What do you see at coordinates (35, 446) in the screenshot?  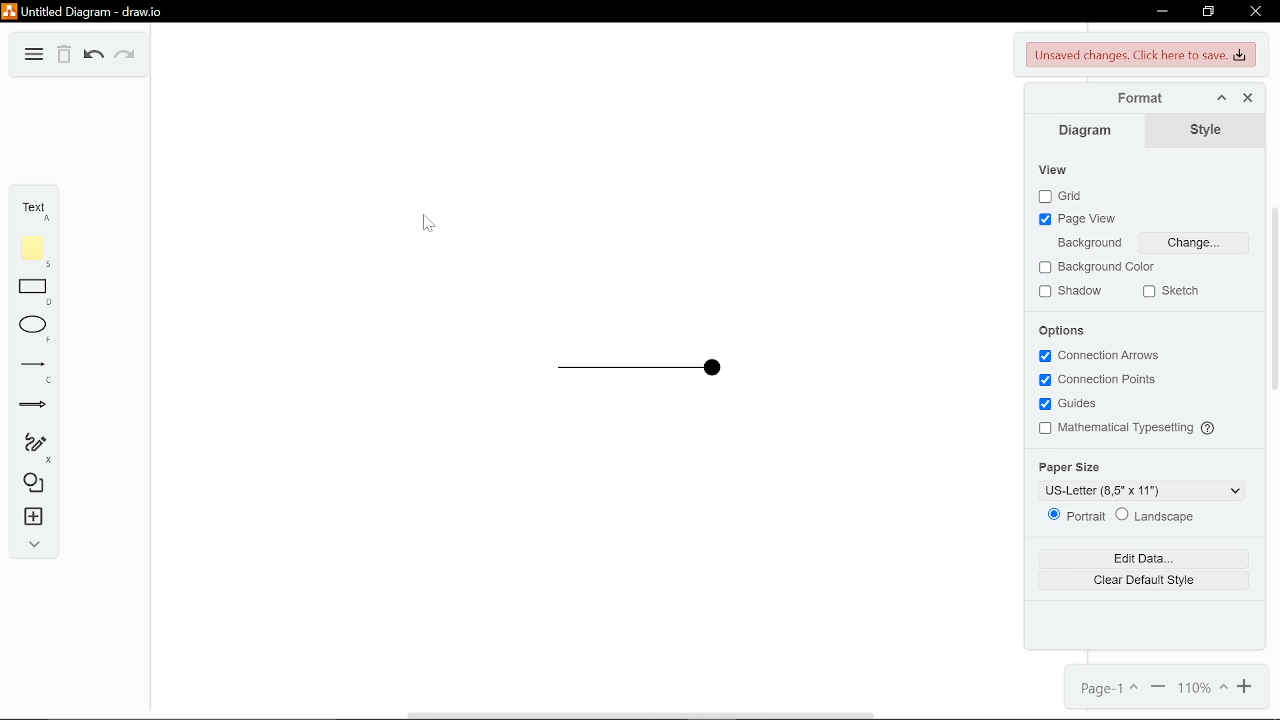 I see `Freehand` at bounding box center [35, 446].